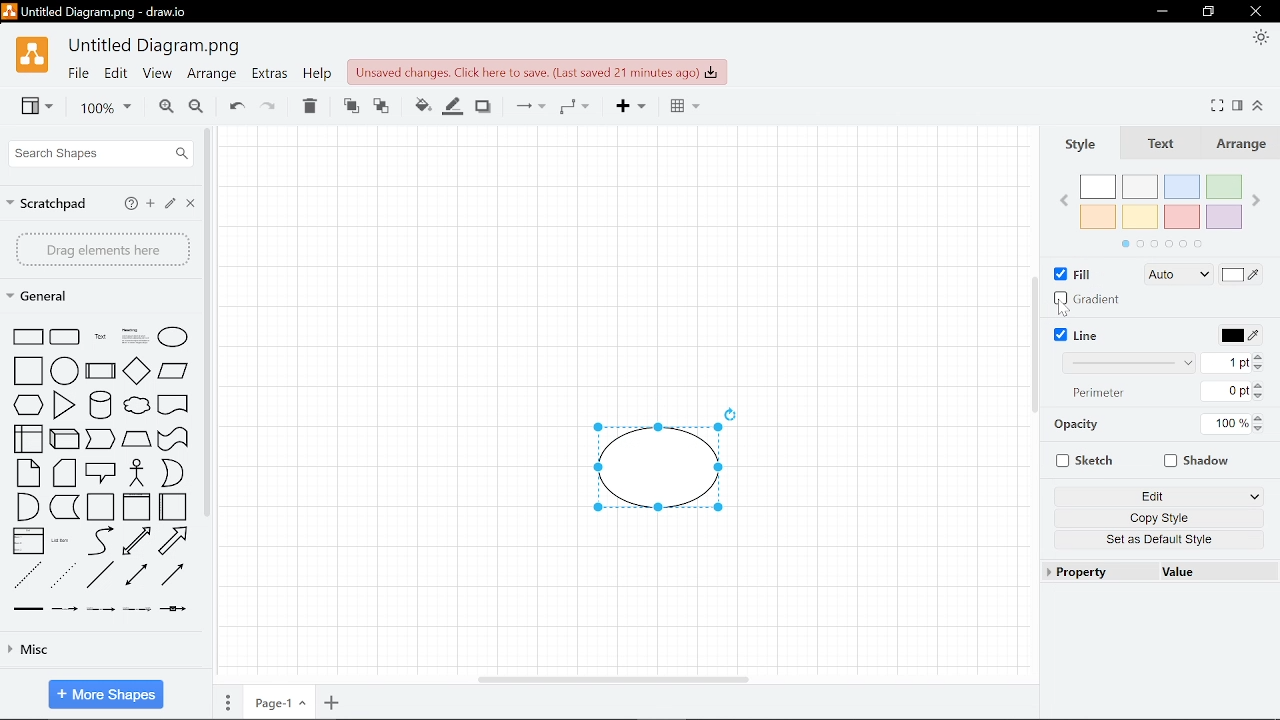 The height and width of the screenshot is (720, 1280). Describe the element at coordinates (616, 680) in the screenshot. I see `Horizontal scrollbar` at that location.